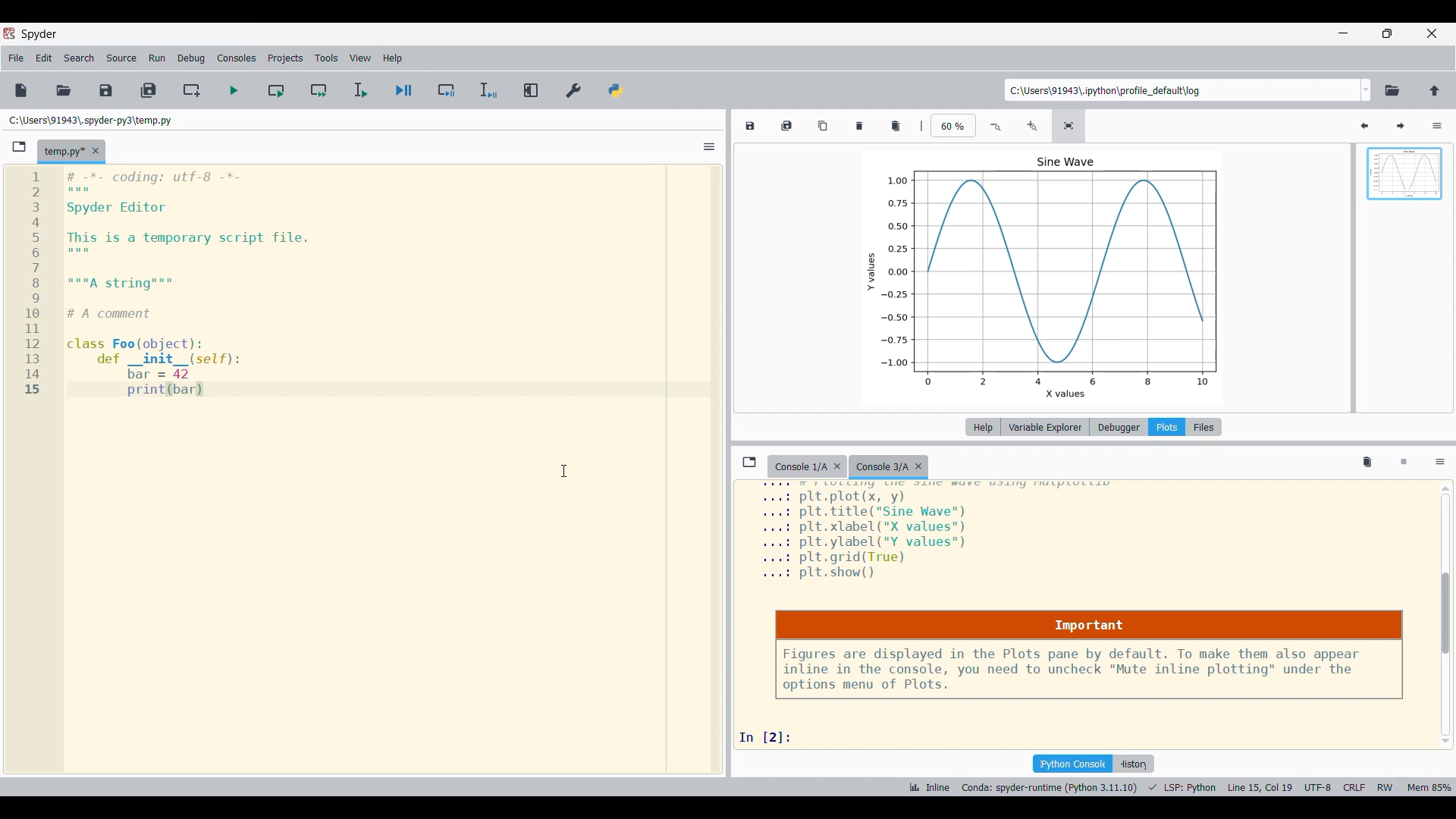 The height and width of the screenshot is (819, 1456). Describe the element at coordinates (1133, 764) in the screenshot. I see `History ` at that location.